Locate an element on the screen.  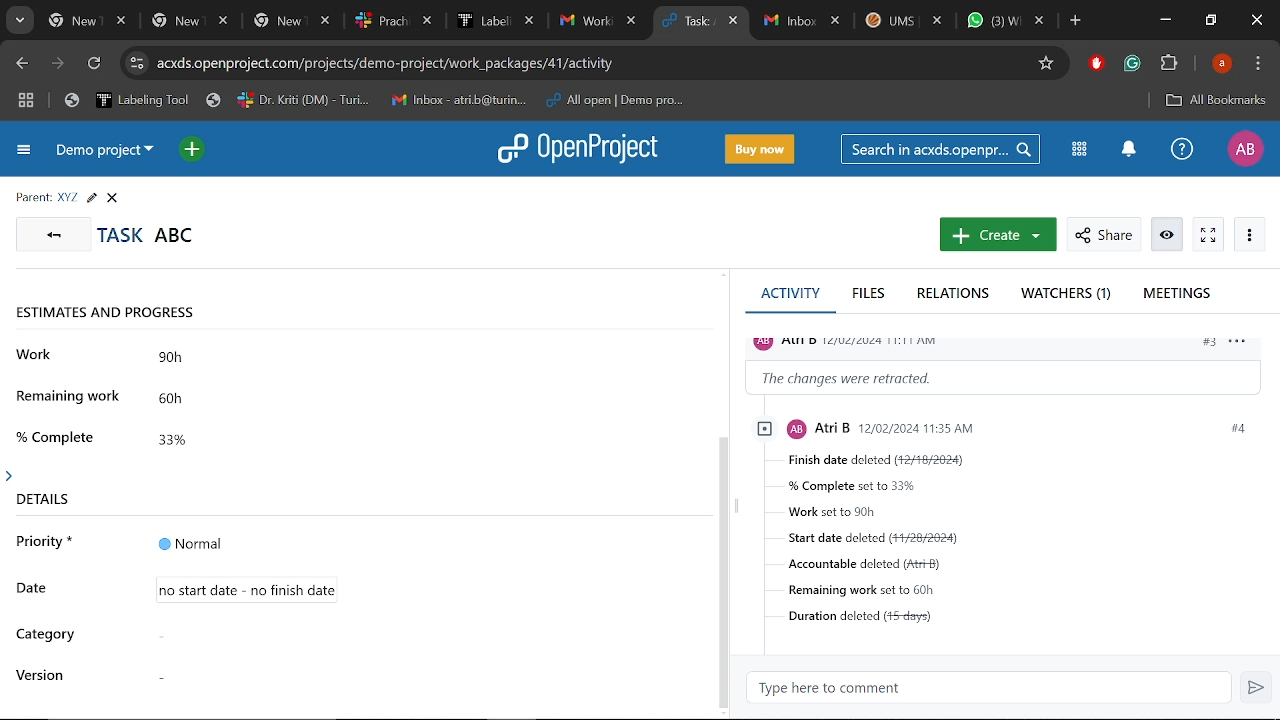
options is located at coordinates (1243, 345).